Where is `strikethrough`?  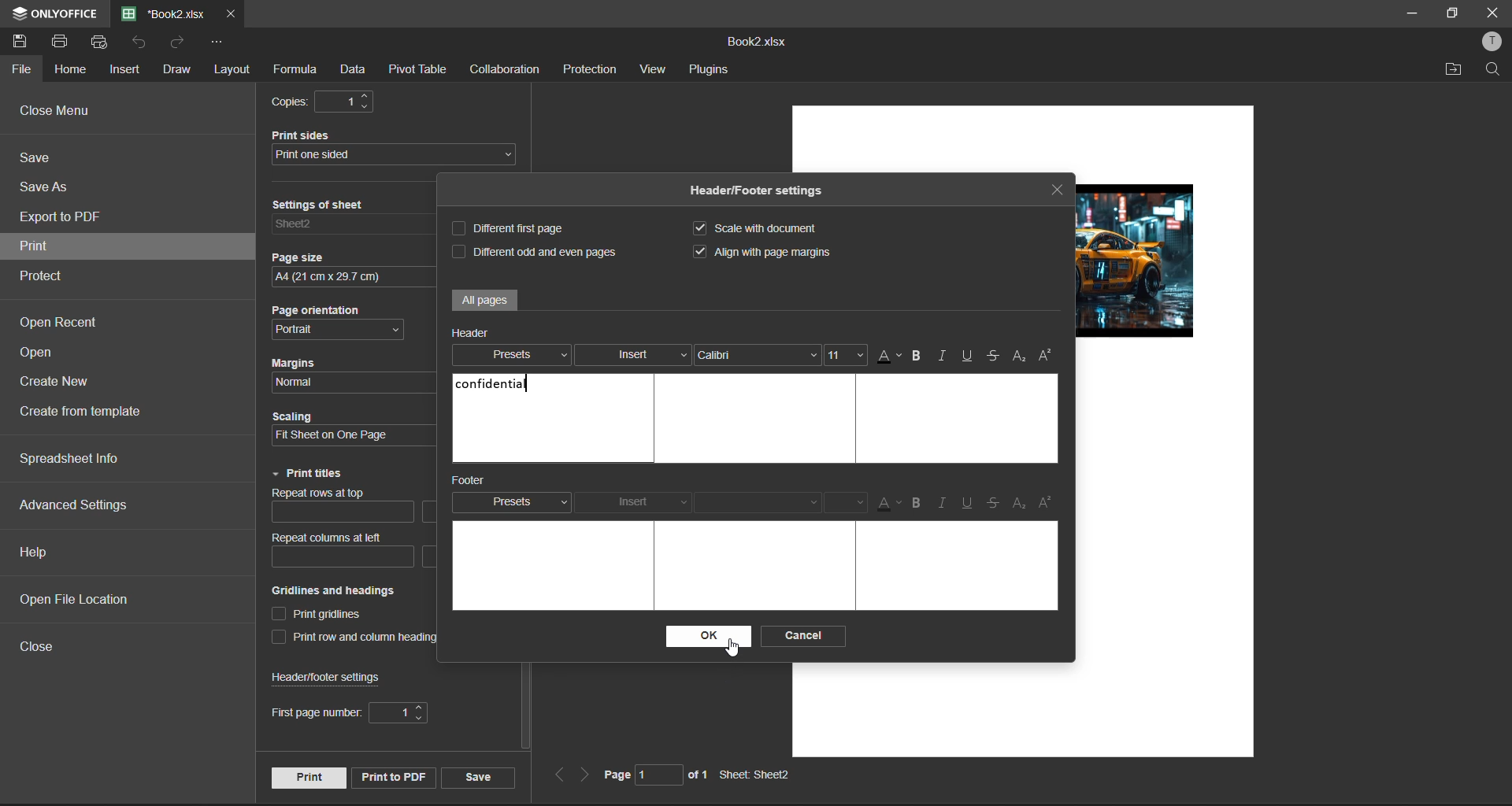
strikethrough is located at coordinates (994, 505).